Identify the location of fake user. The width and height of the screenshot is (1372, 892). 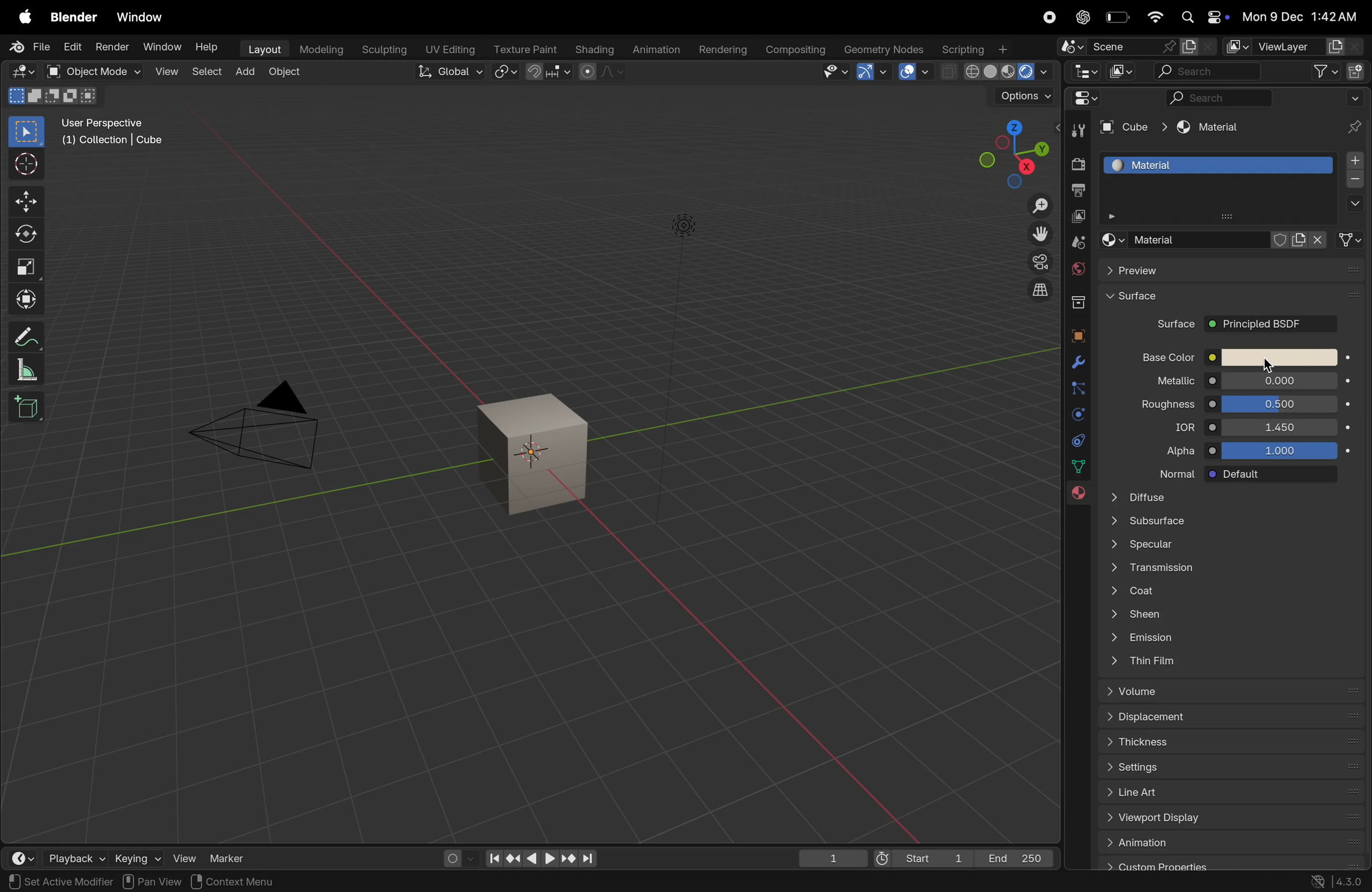
(1281, 240).